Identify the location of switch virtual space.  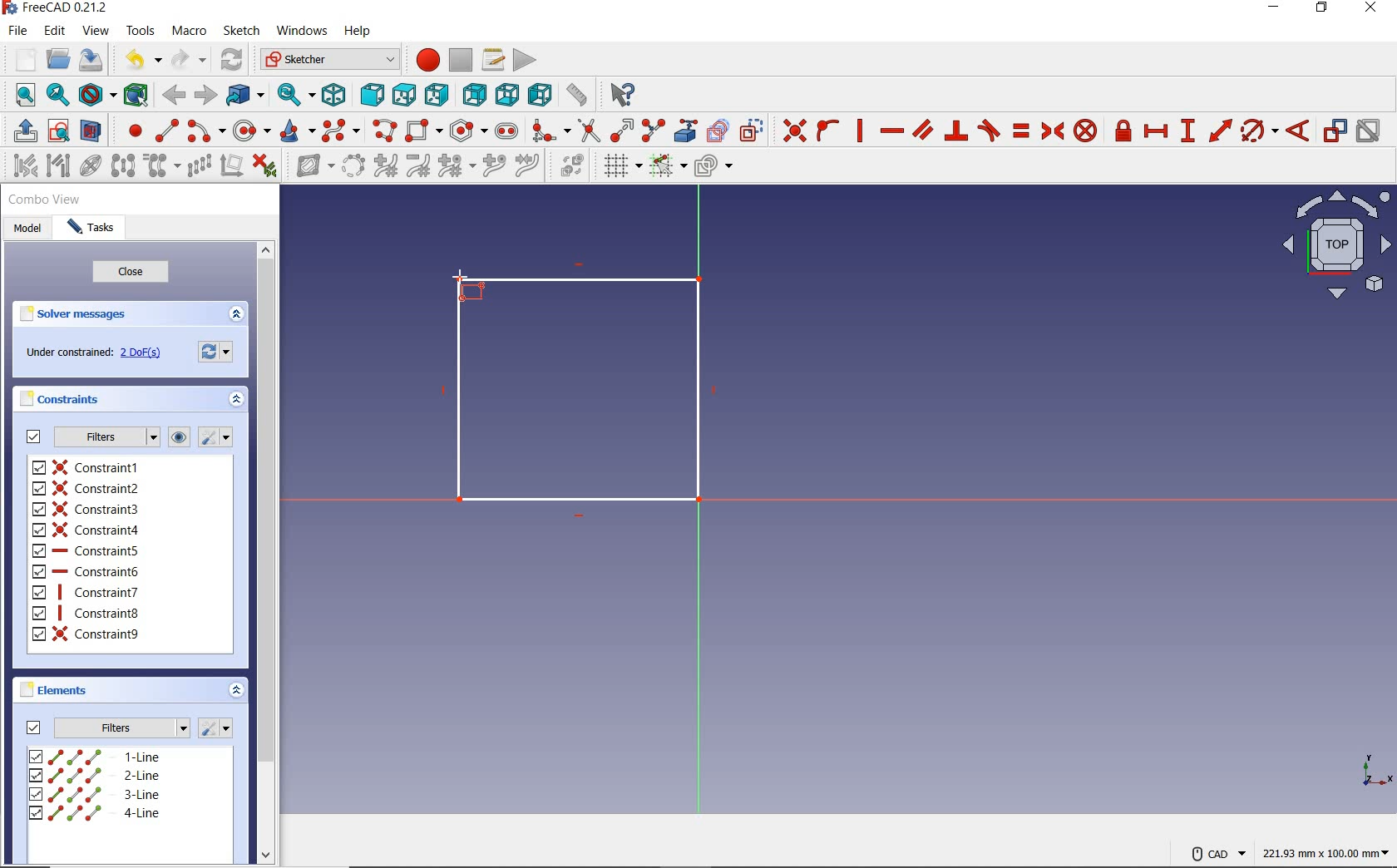
(569, 169).